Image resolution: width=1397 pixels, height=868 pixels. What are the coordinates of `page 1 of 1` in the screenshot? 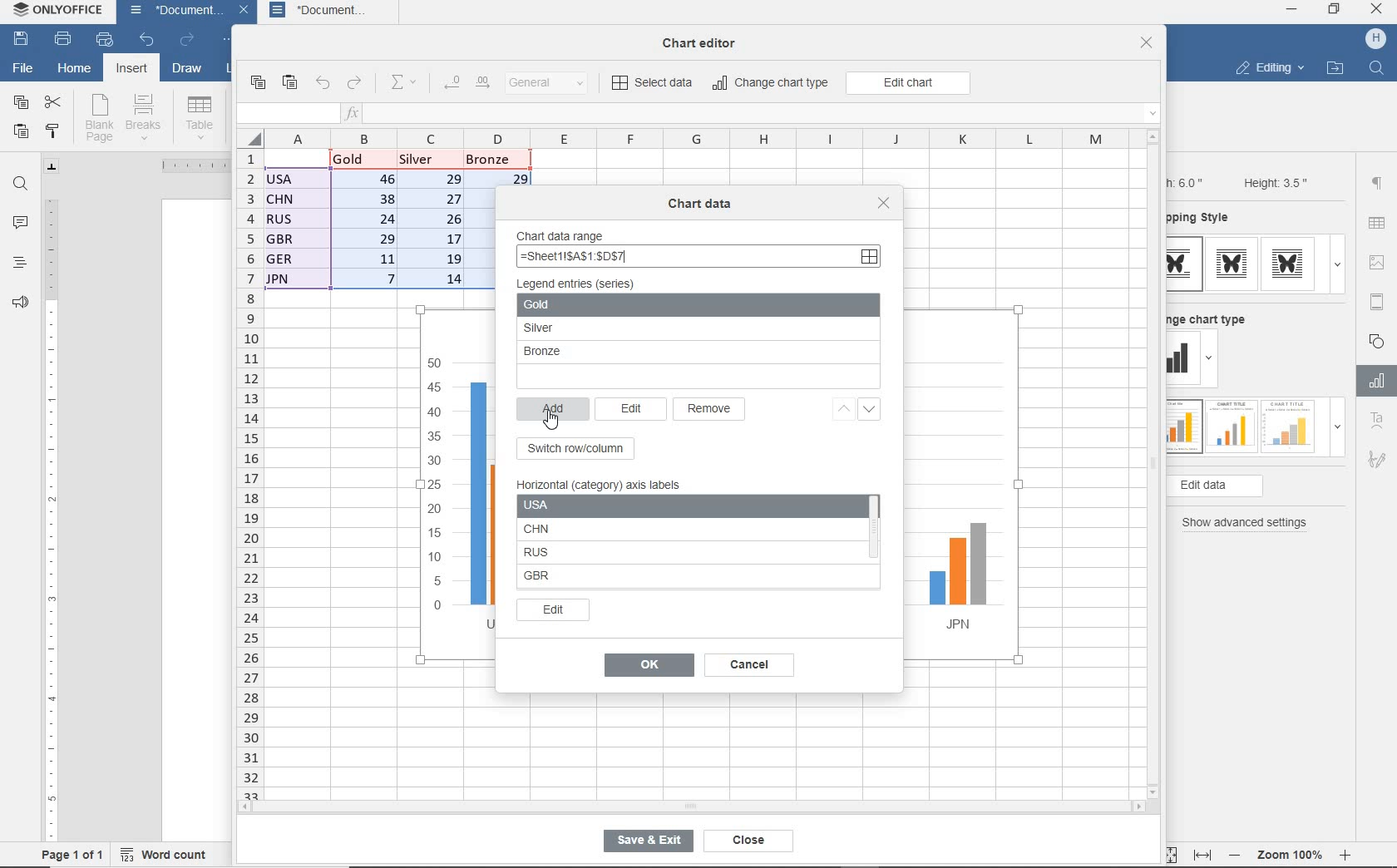 It's located at (73, 854).